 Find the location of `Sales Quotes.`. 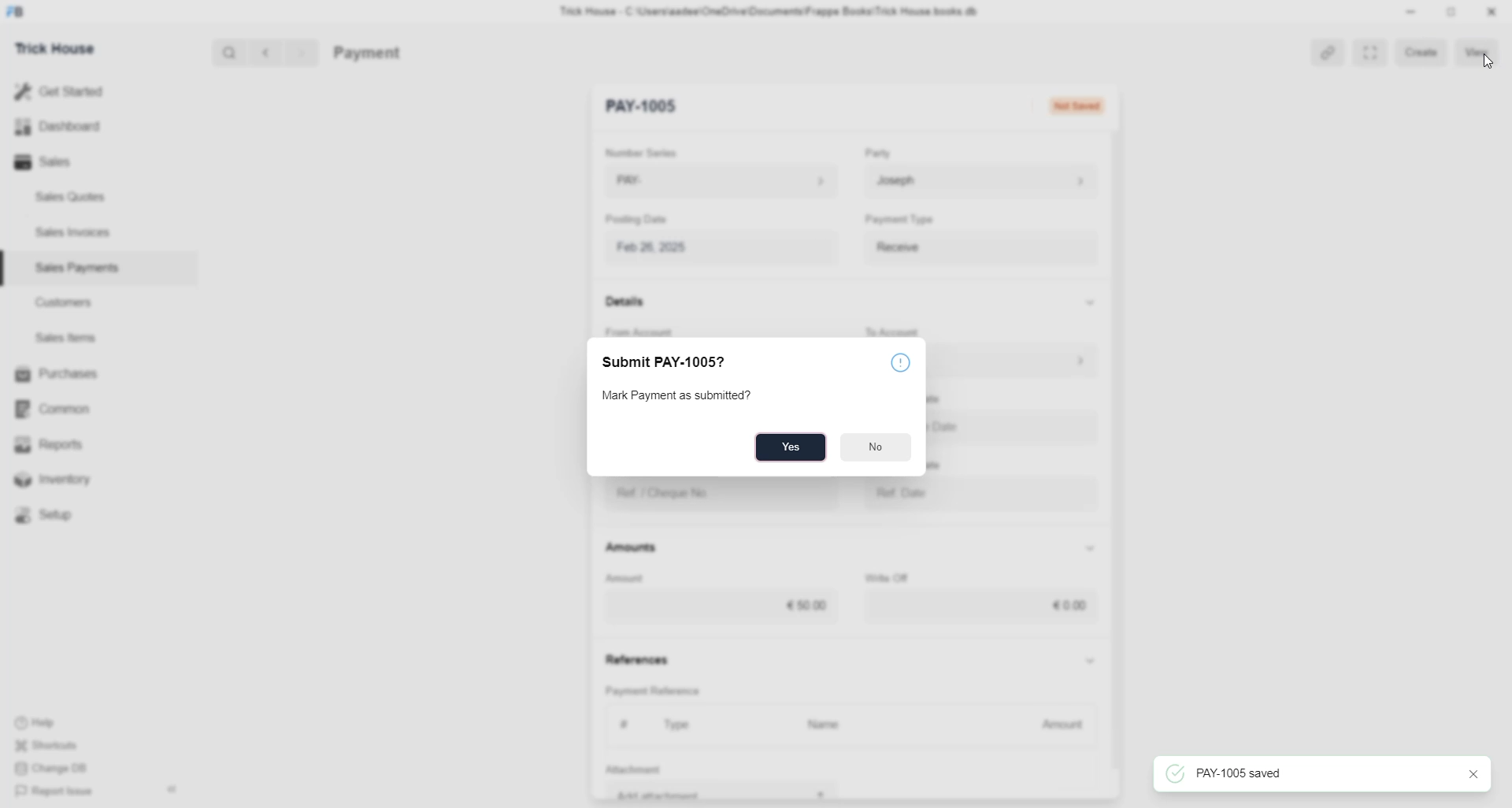

Sales Quotes. is located at coordinates (72, 196).